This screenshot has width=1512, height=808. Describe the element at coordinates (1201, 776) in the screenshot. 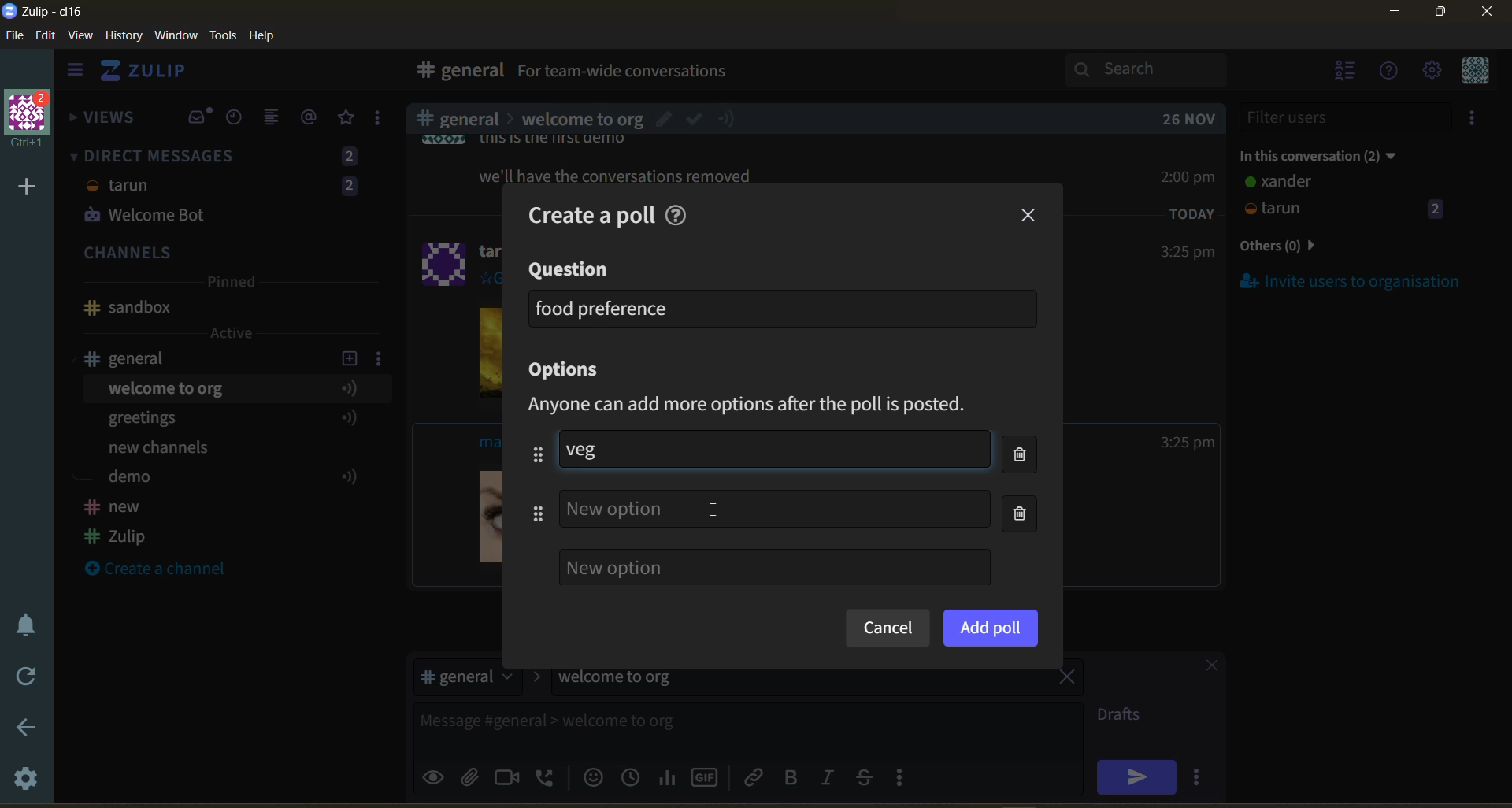

I see `send options` at that location.